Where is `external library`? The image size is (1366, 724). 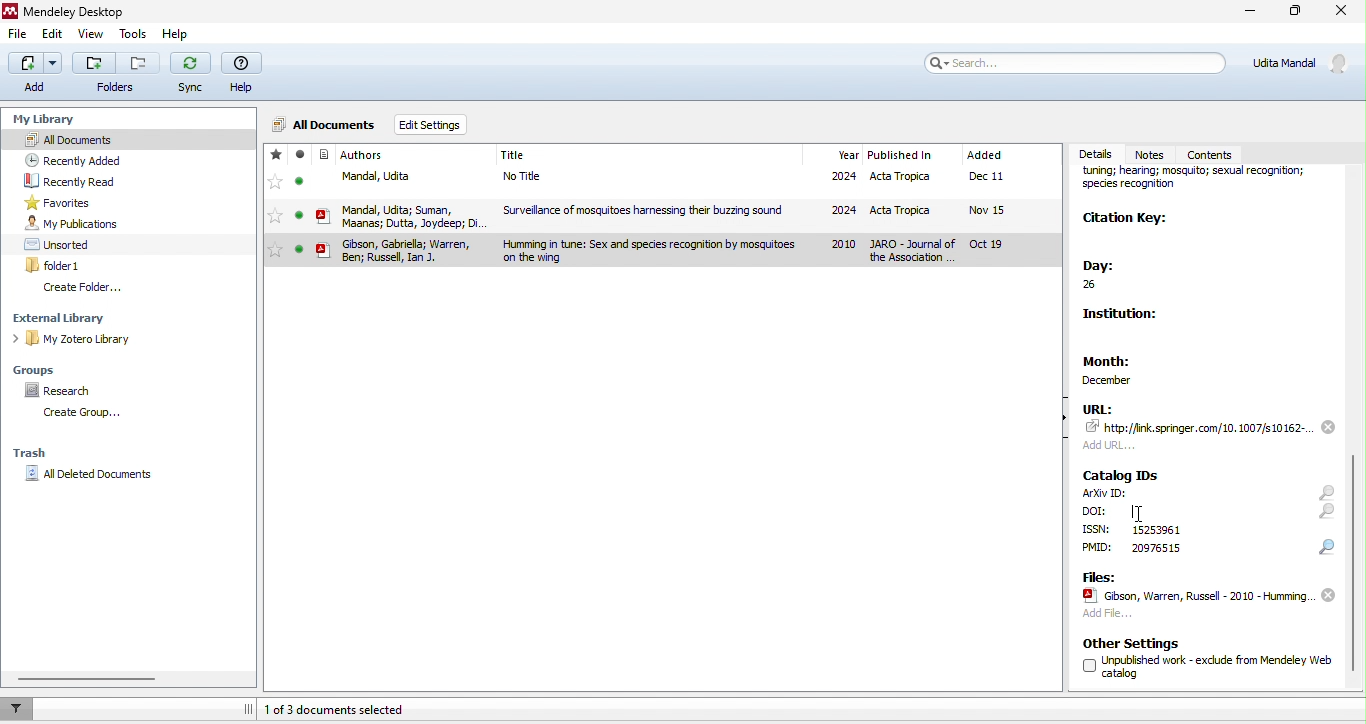 external library is located at coordinates (69, 318).